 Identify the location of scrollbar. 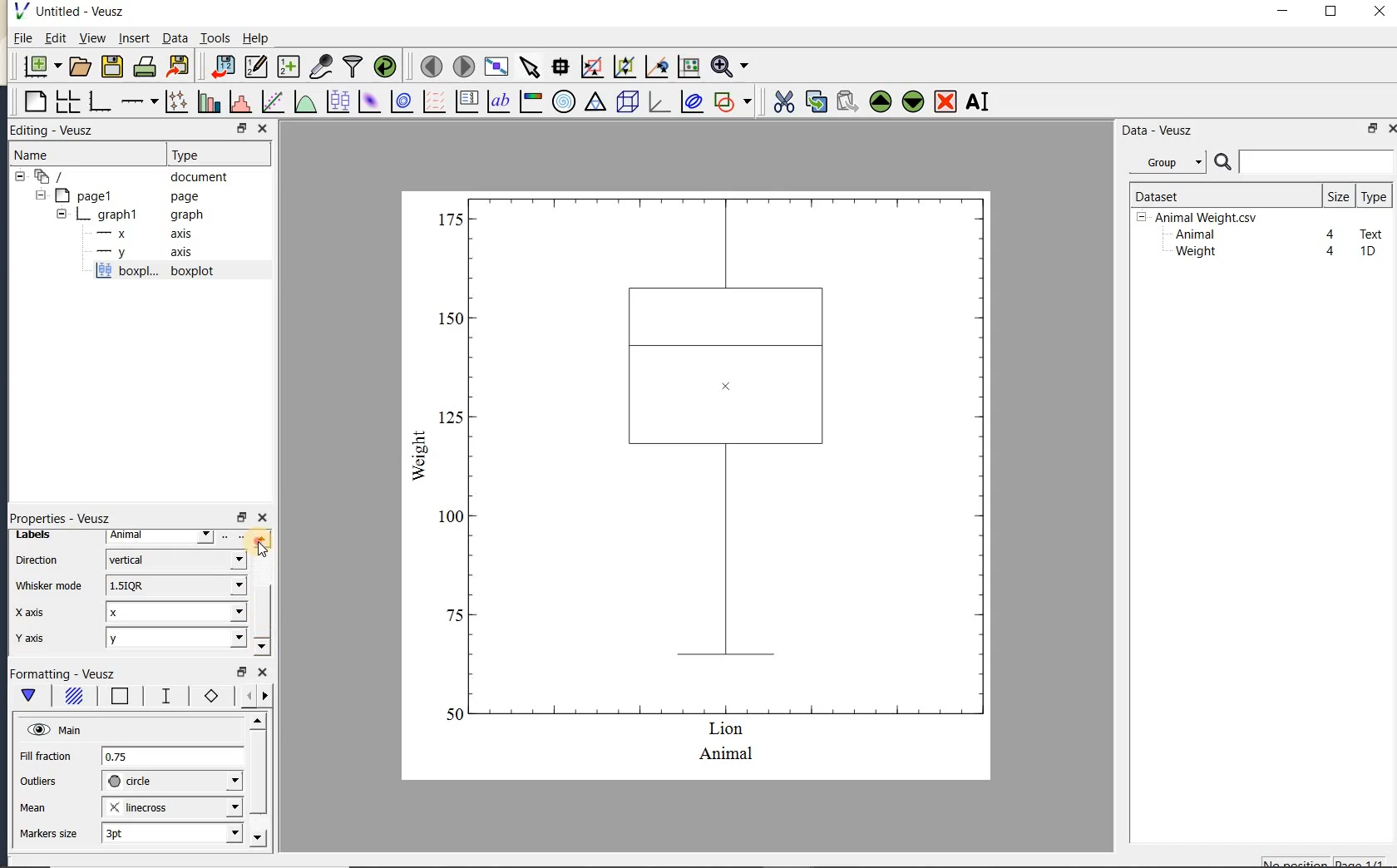
(257, 781).